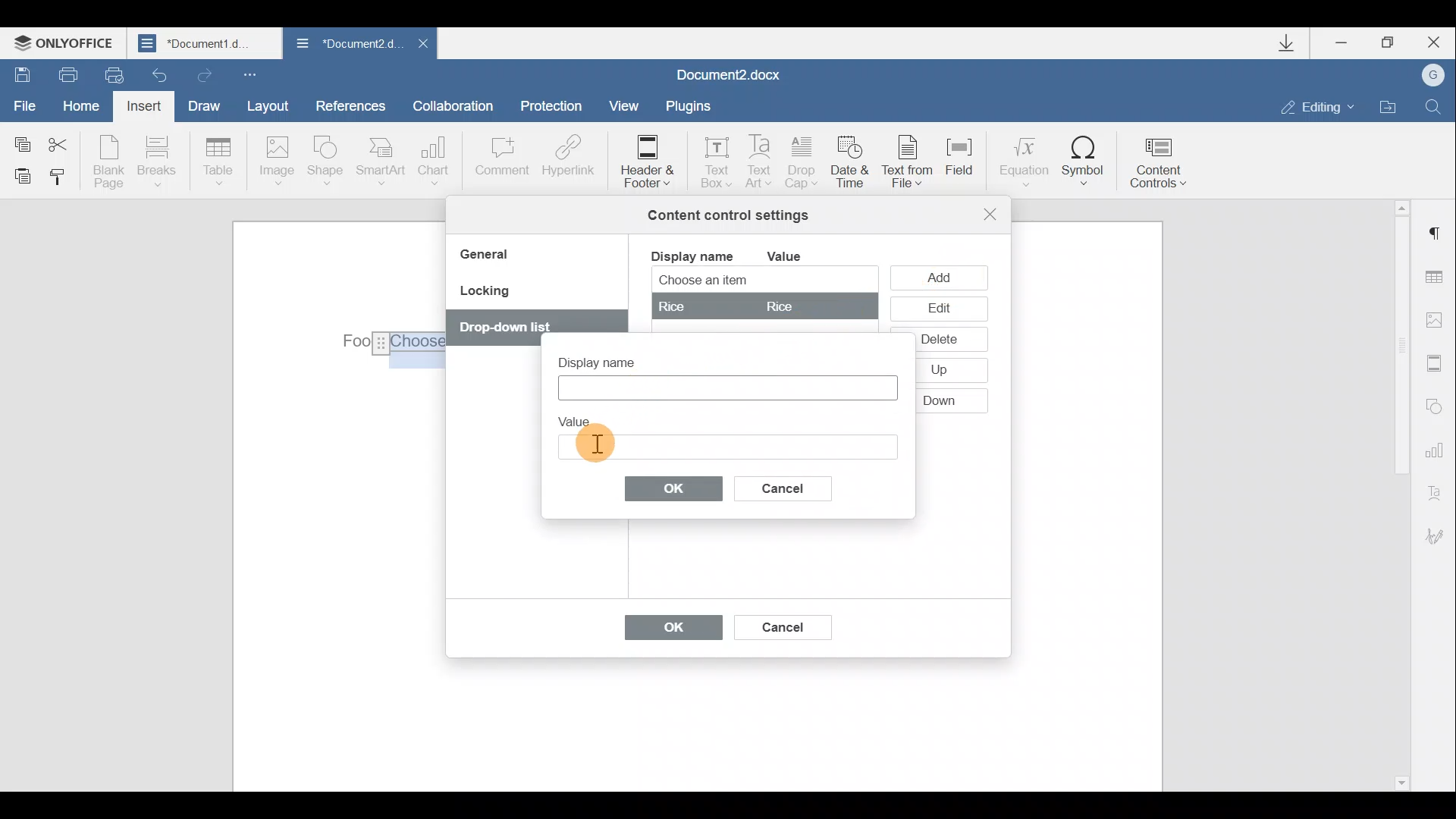 This screenshot has width=1456, height=819. I want to click on Text Art settings, so click(1439, 490).